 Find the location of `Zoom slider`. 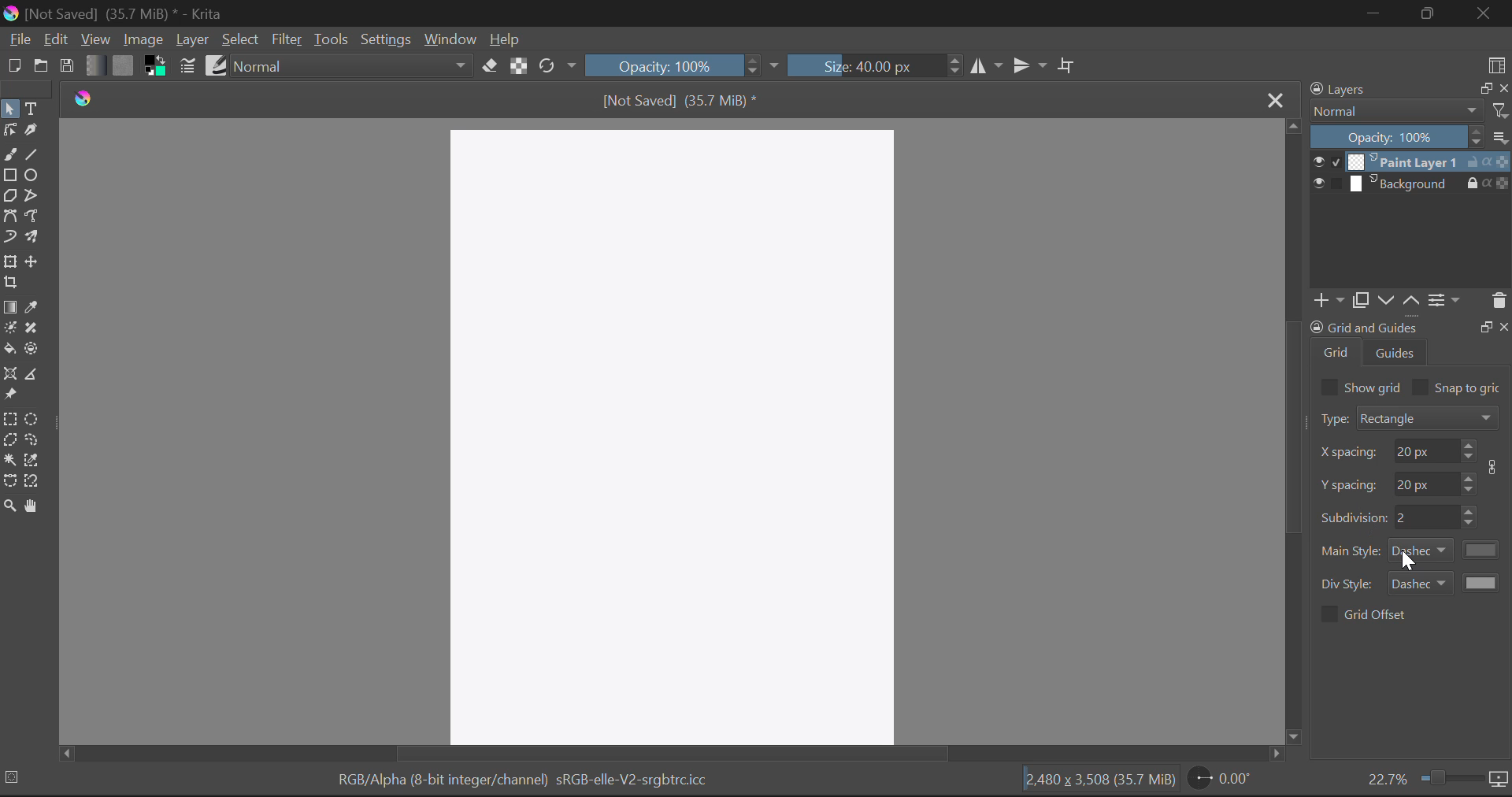

Zoom slider is located at coordinates (1449, 777).